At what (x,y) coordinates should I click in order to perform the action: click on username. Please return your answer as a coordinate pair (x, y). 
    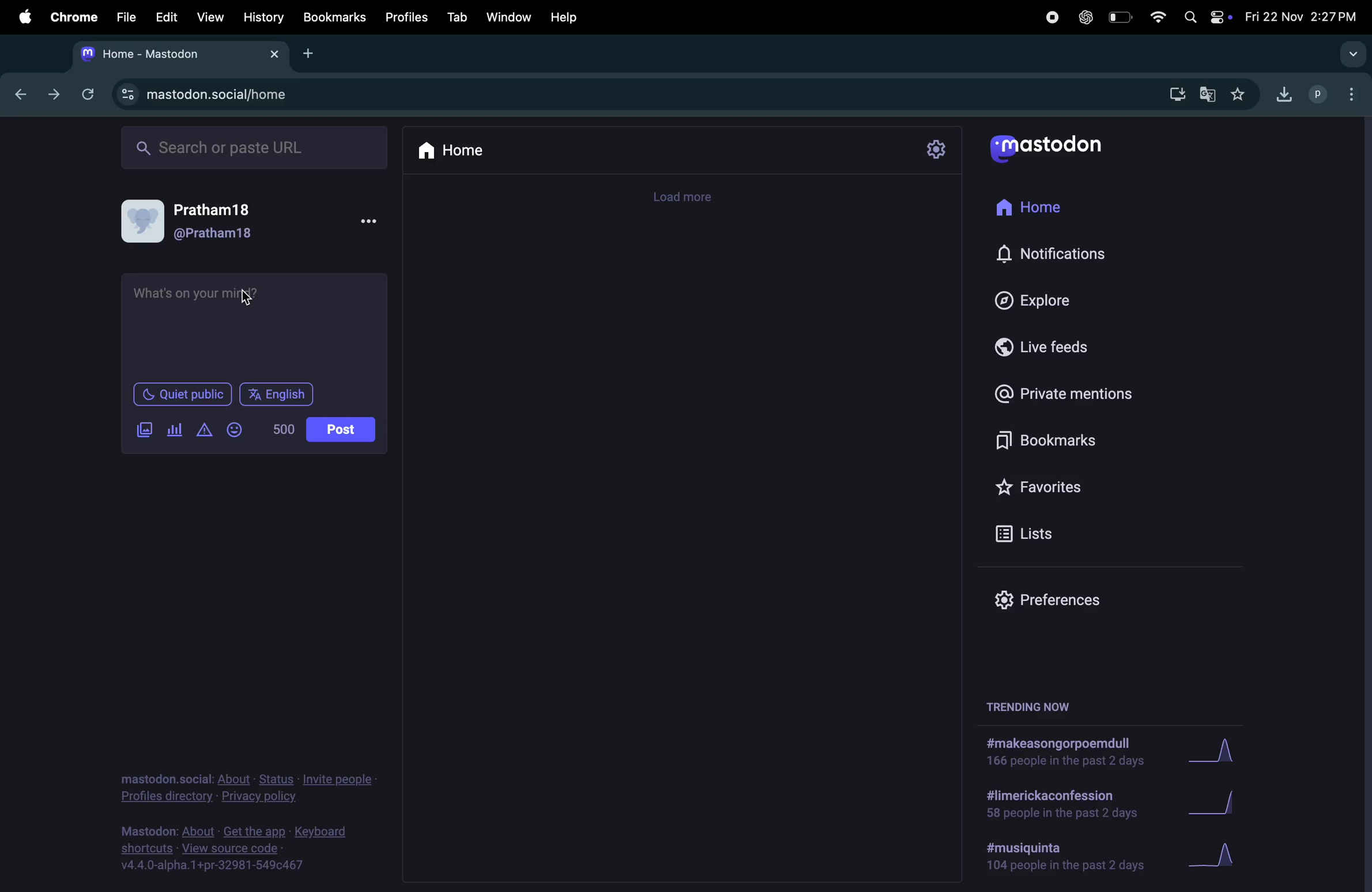
    Looking at the image, I should click on (216, 221).